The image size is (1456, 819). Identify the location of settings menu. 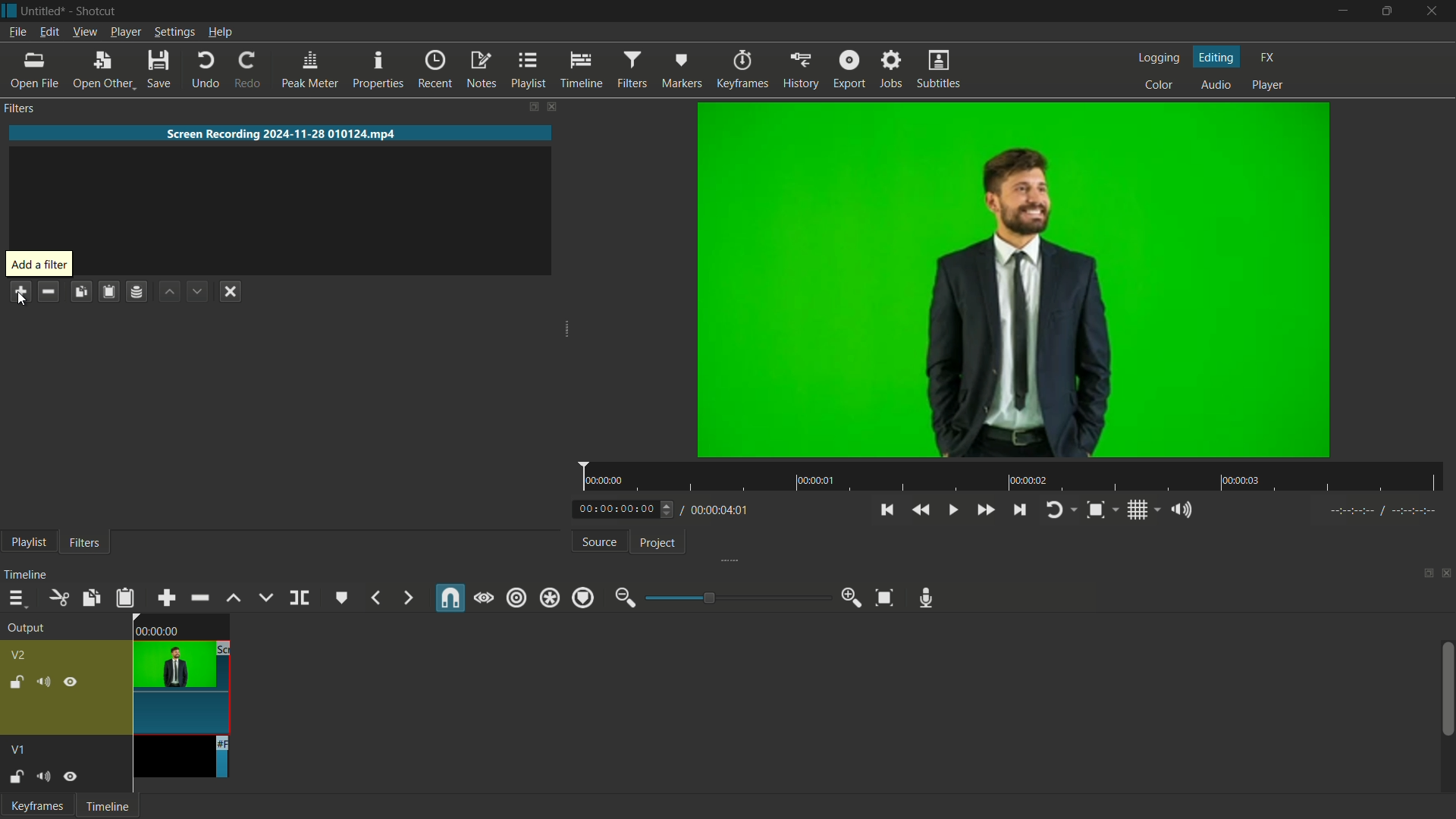
(174, 32).